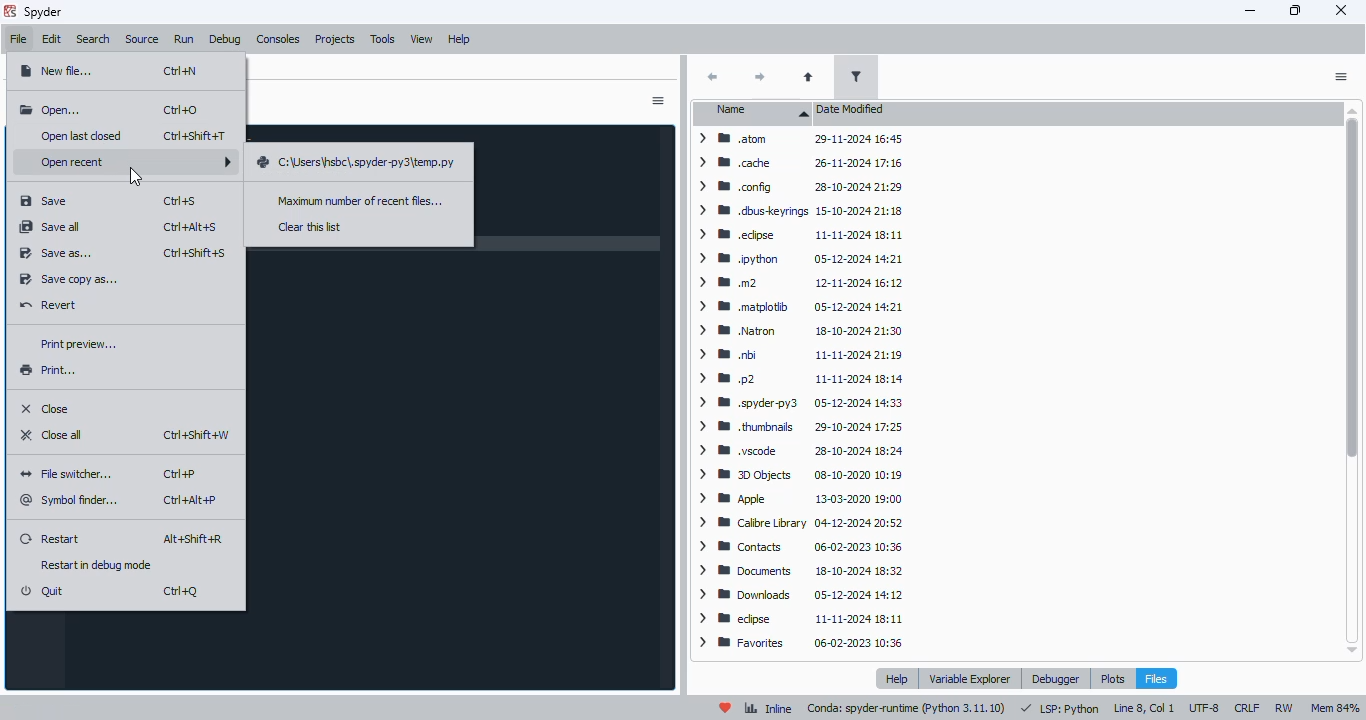 Image resolution: width=1366 pixels, height=720 pixels. I want to click on print, so click(48, 370).